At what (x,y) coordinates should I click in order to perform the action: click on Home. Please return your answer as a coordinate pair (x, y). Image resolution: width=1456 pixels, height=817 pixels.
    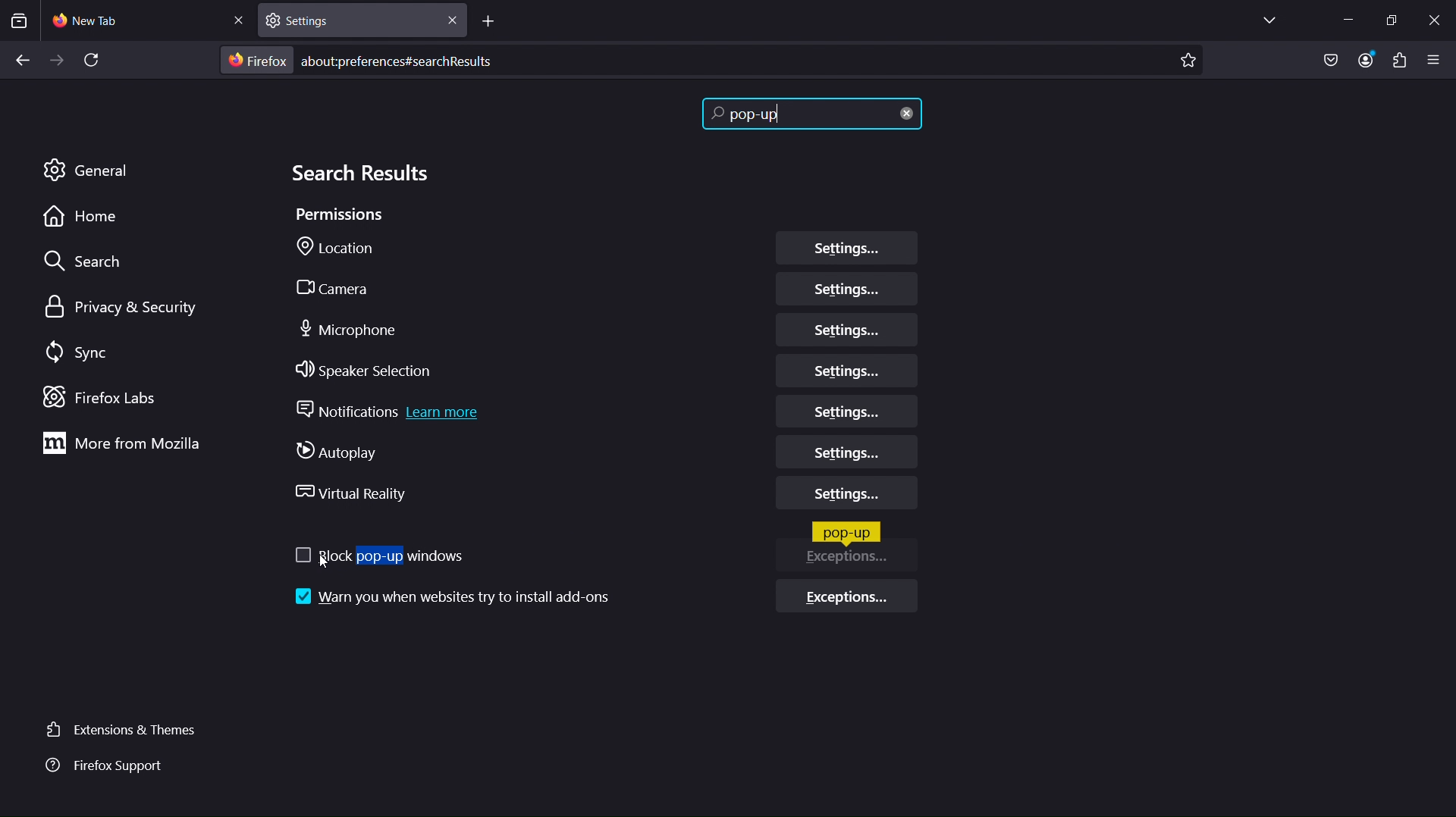
    Looking at the image, I should click on (86, 218).